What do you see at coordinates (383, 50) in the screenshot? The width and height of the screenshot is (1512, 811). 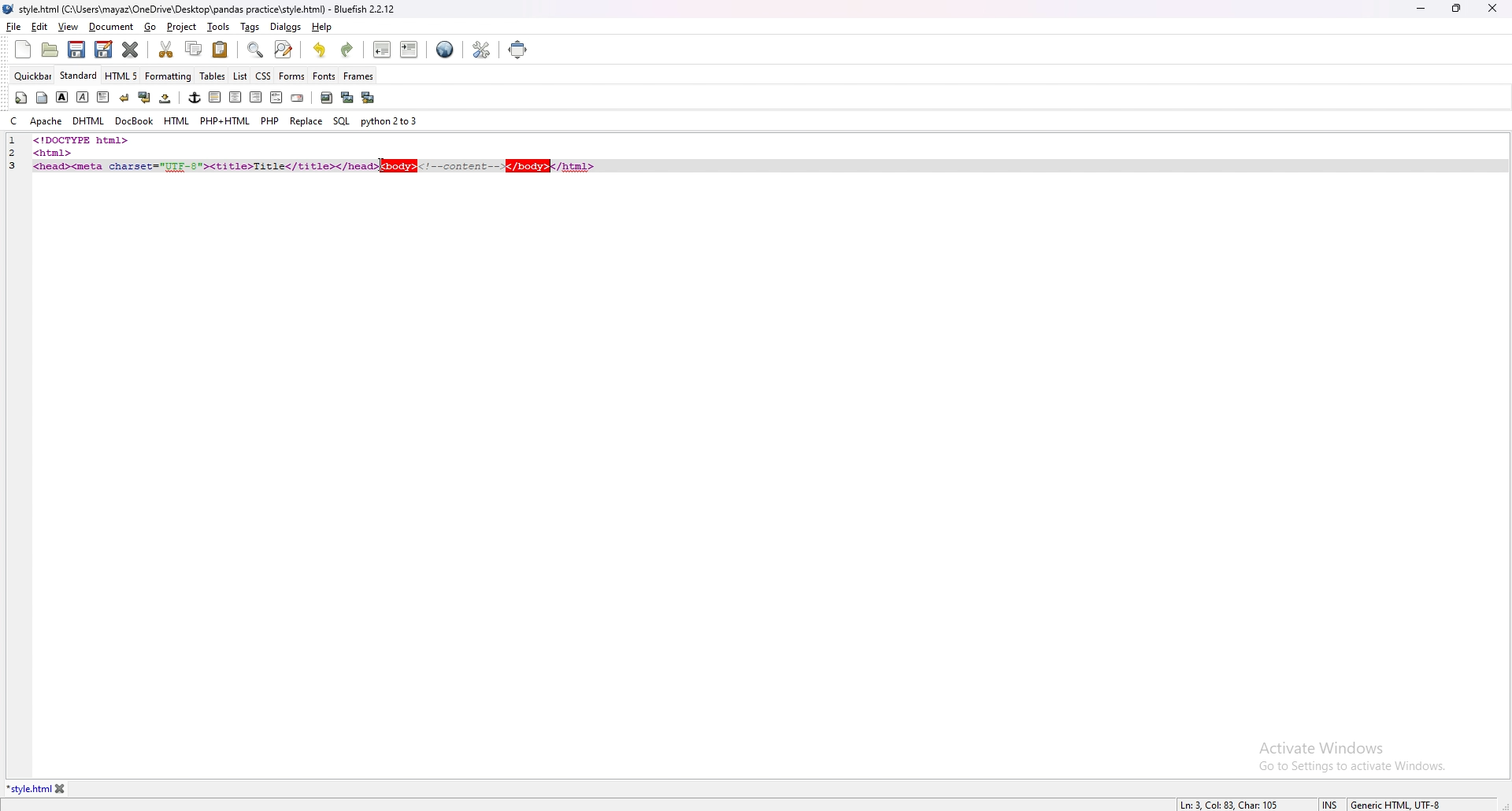 I see `unindent` at bounding box center [383, 50].